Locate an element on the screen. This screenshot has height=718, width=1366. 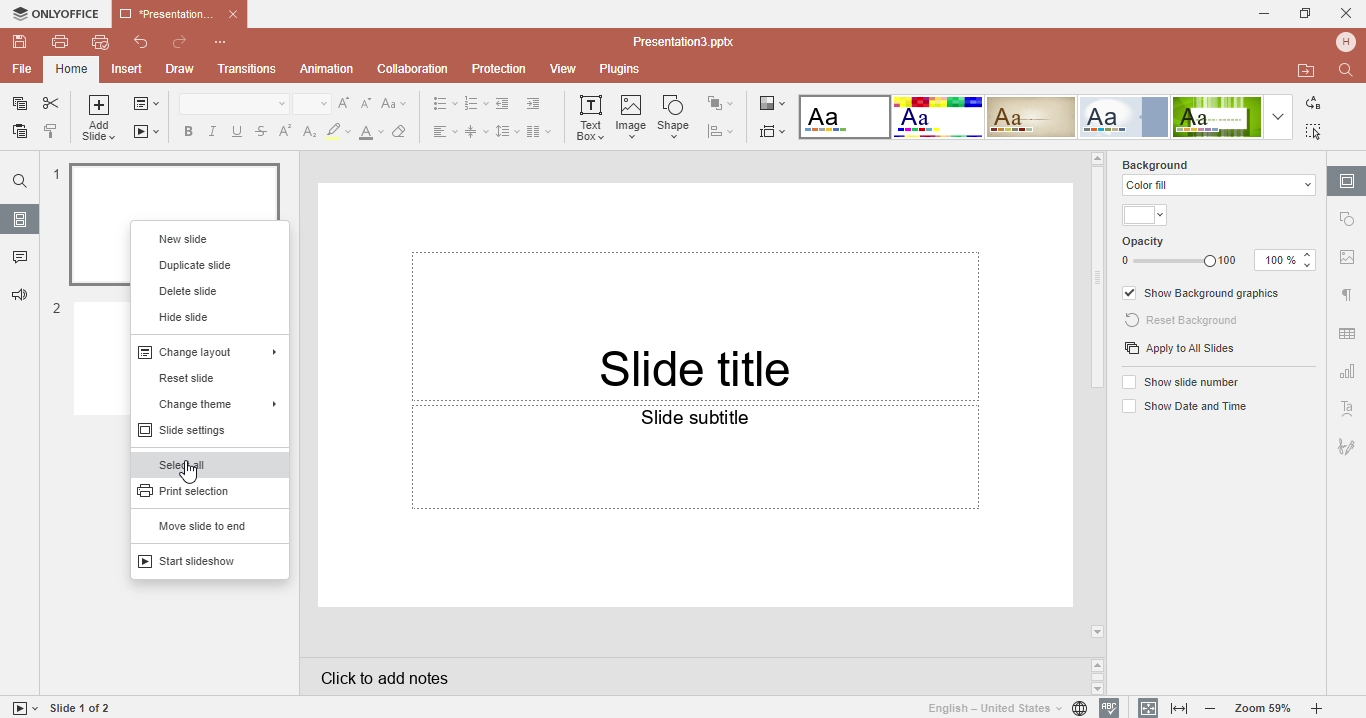
Select all is located at coordinates (1318, 131).